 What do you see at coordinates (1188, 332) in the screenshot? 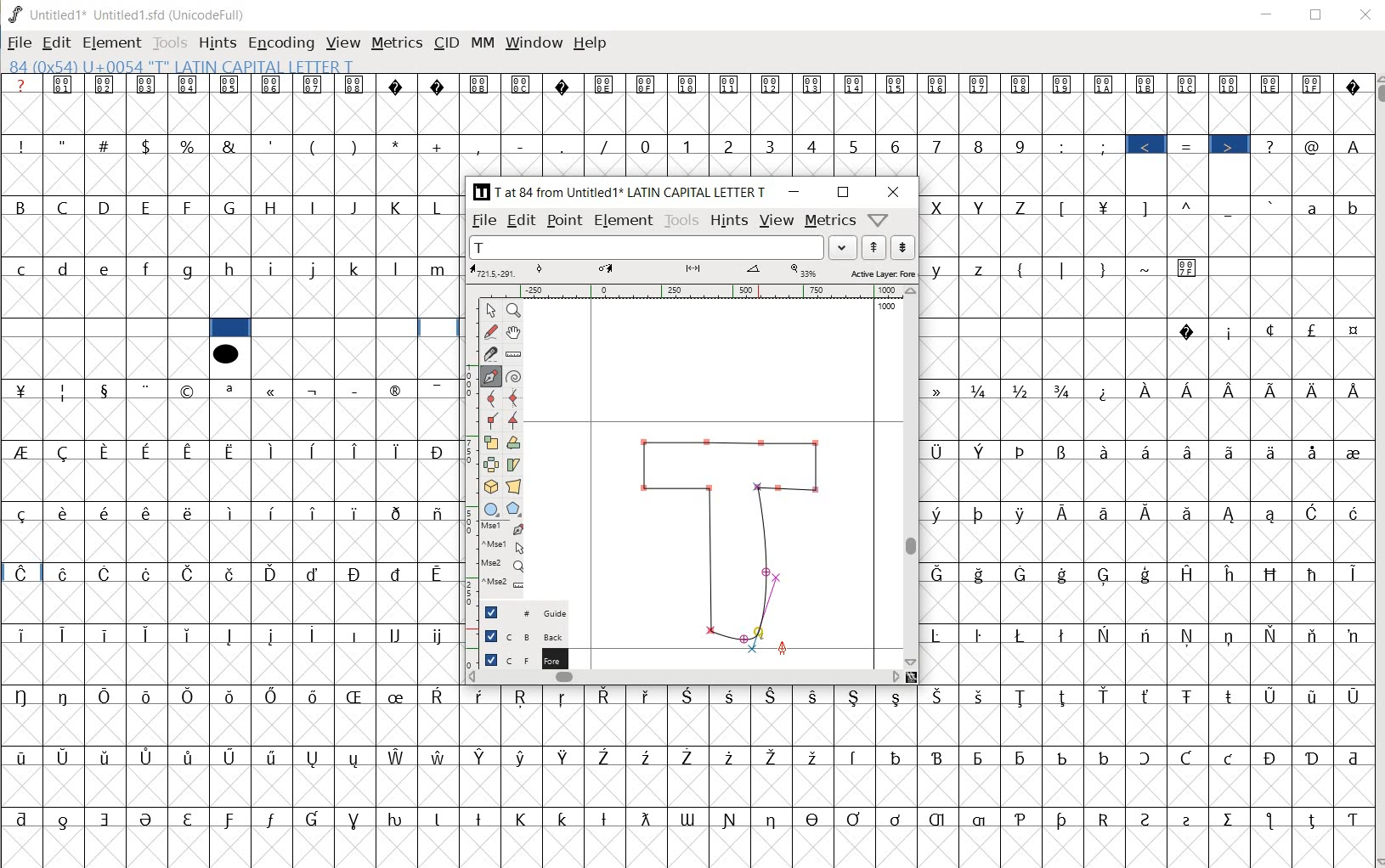
I see `Symbol` at bounding box center [1188, 332].